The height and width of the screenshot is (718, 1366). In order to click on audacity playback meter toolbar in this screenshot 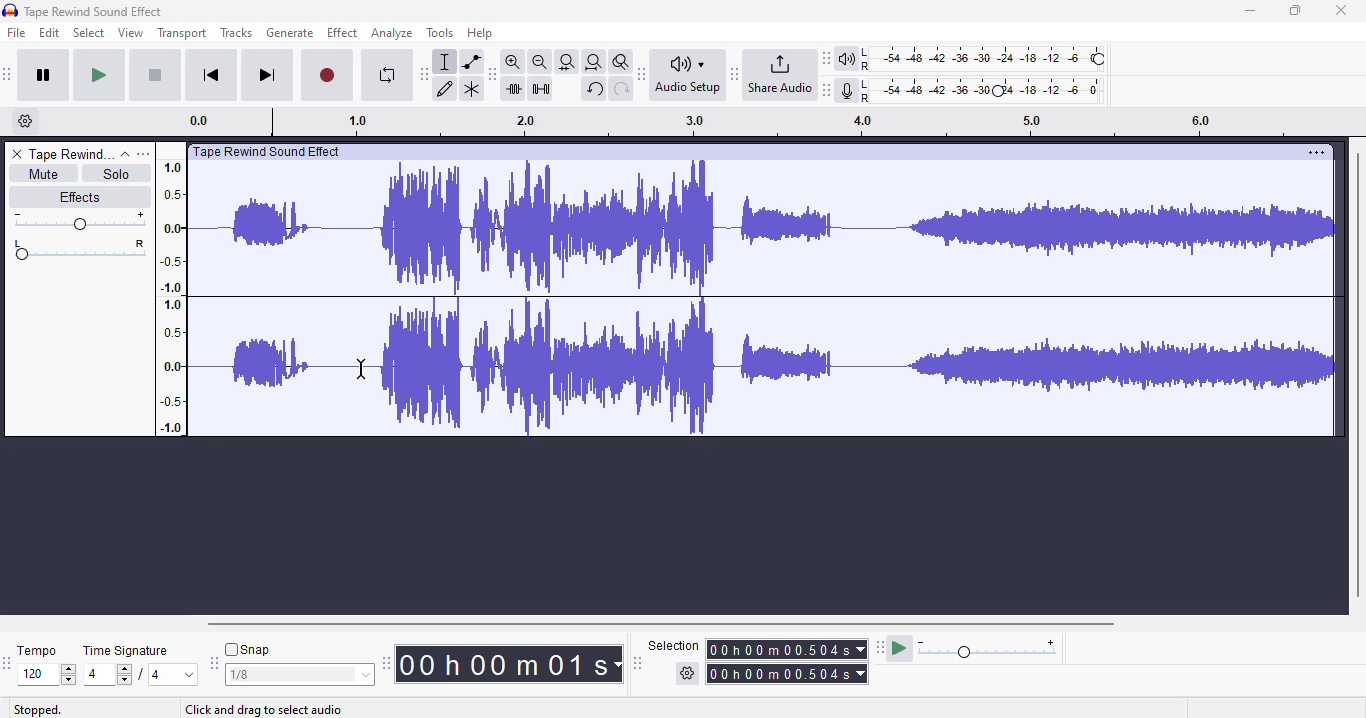, I will do `click(826, 58)`.